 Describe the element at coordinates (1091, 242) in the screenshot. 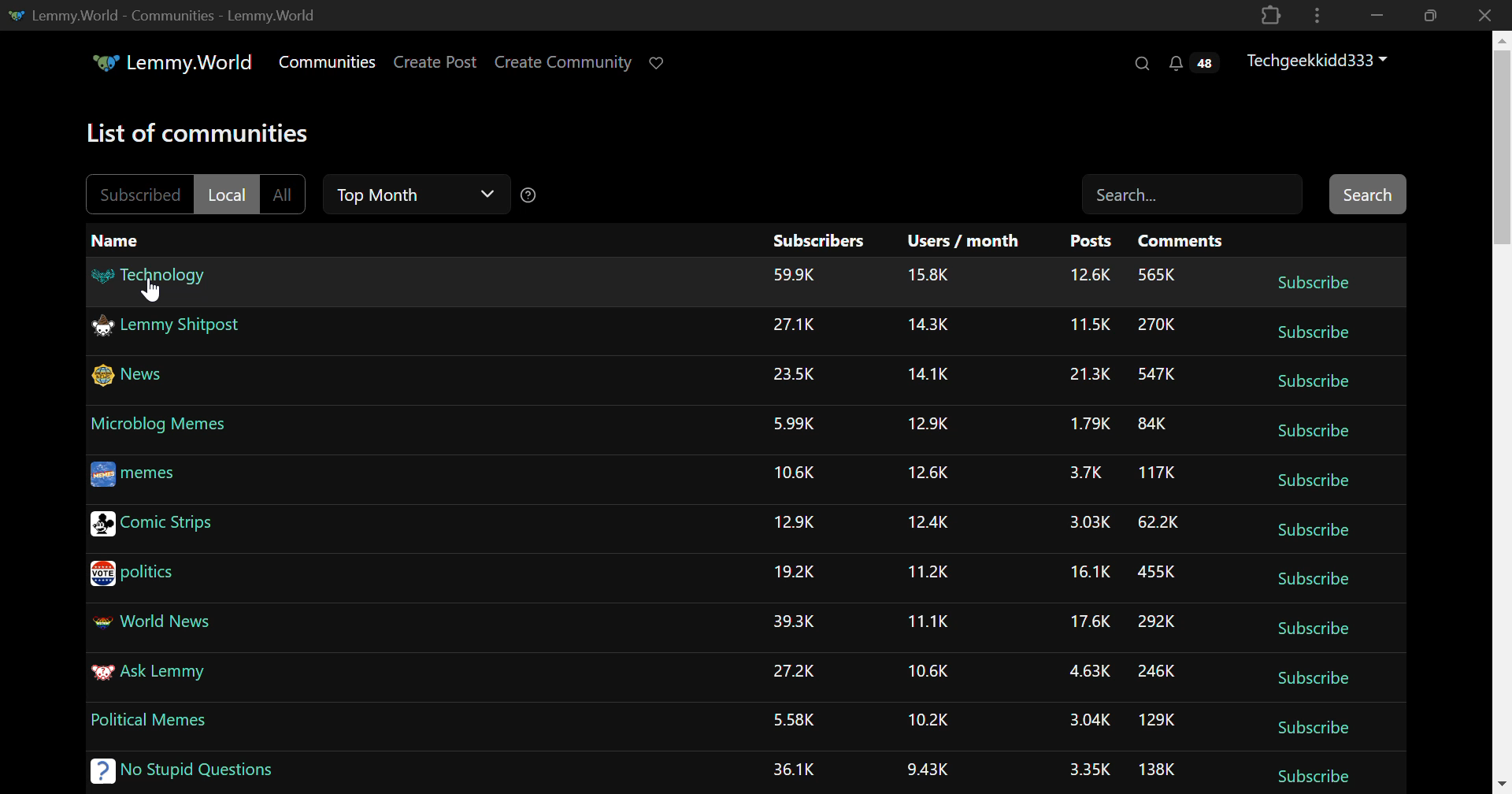

I see `Posts` at that location.